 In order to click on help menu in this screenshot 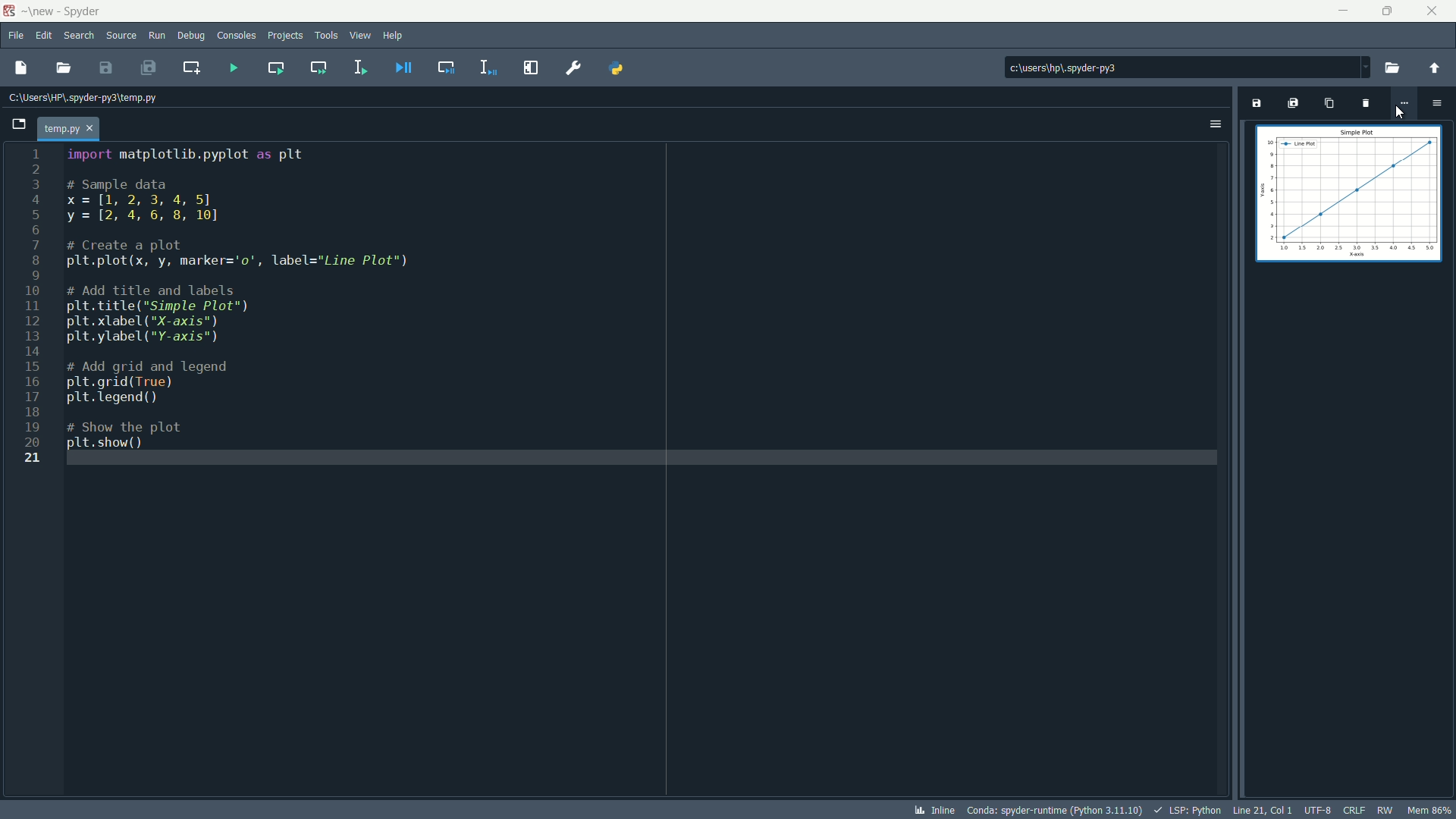, I will do `click(395, 35)`.